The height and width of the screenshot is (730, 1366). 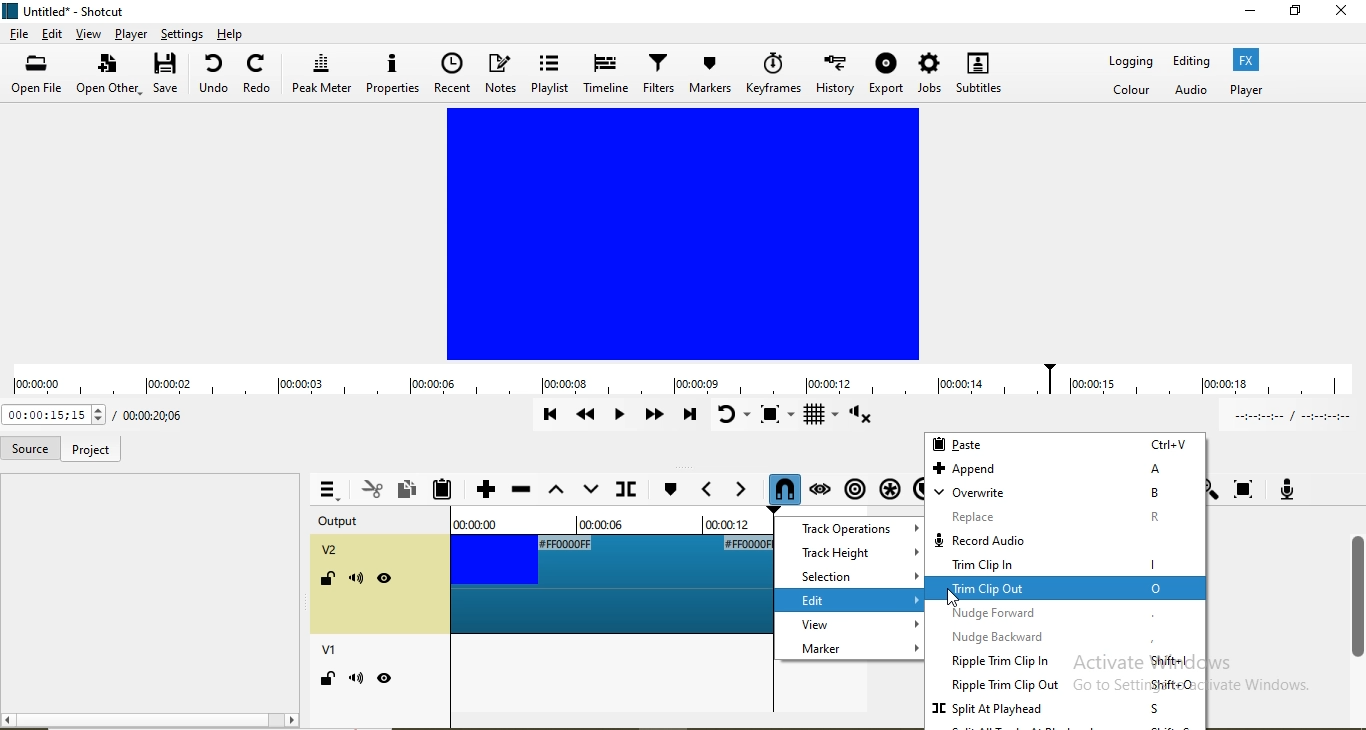 What do you see at coordinates (624, 492) in the screenshot?
I see `Split at playhead` at bounding box center [624, 492].